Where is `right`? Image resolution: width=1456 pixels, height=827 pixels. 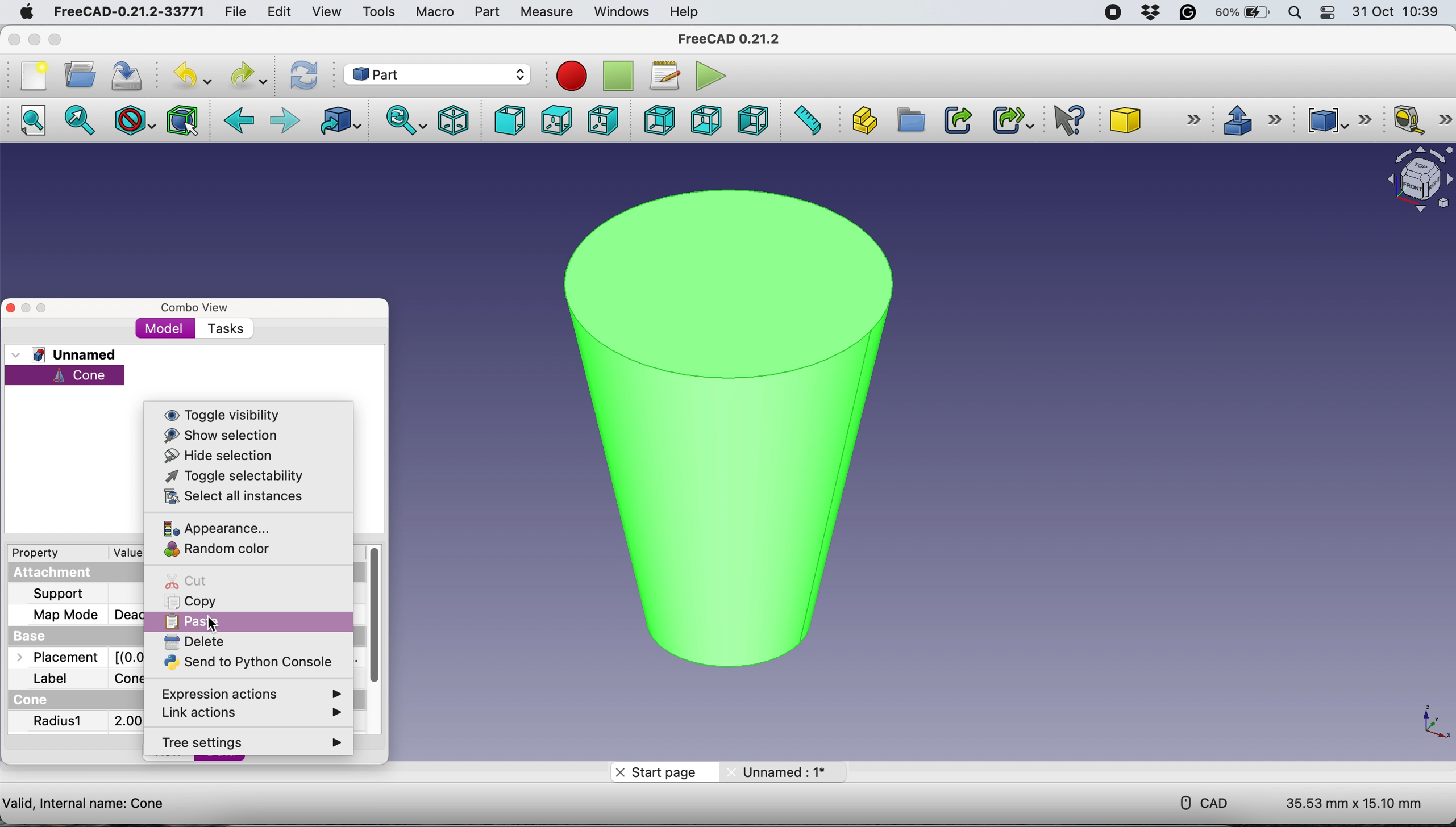
right is located at coordinates (602, 119).